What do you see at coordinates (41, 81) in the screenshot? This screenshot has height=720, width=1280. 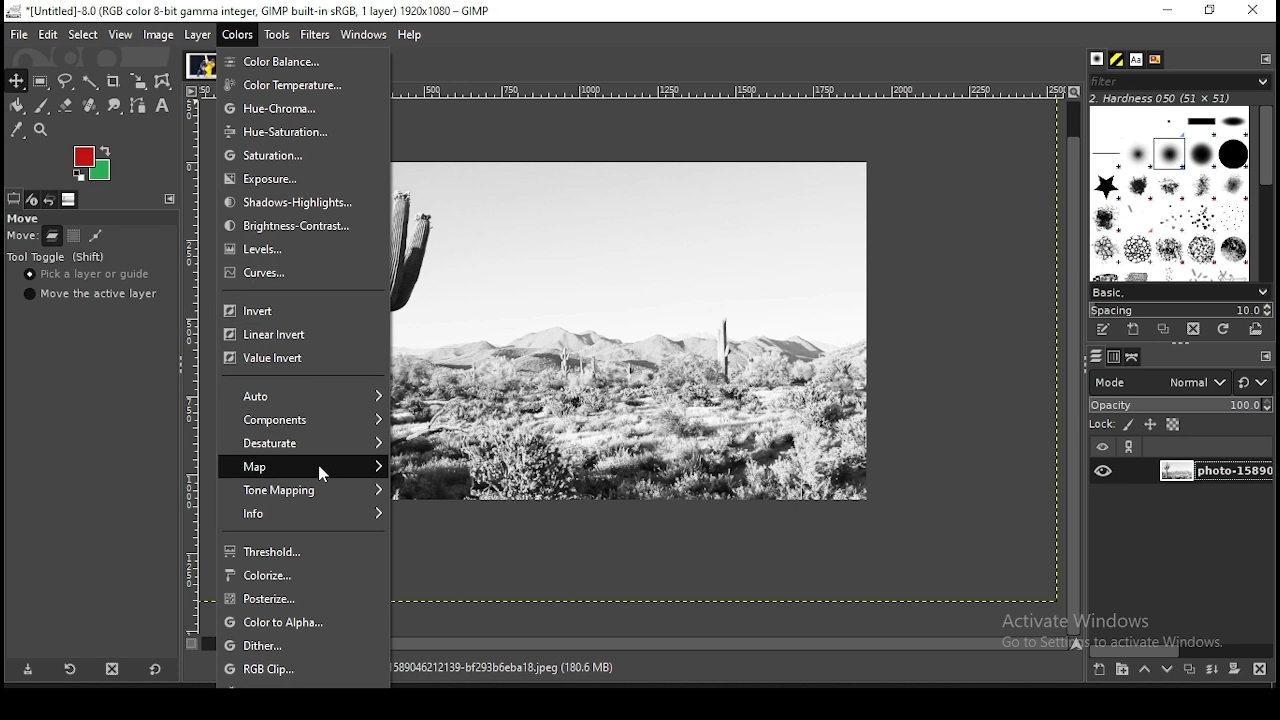 I see `rectangular selection tool` at bounding box center [41, 81].